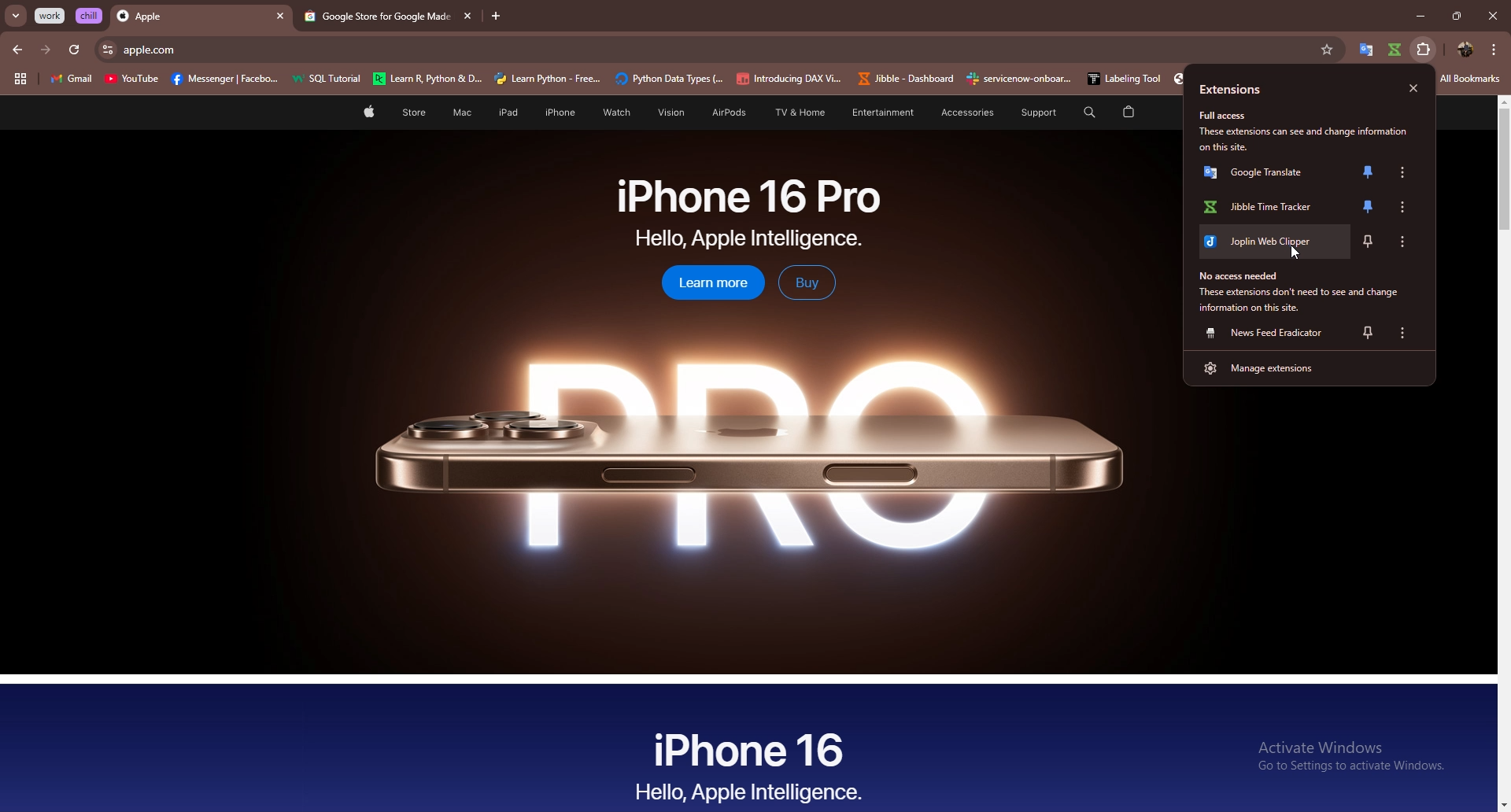  Describe the element at coordinates (497, 17) in the screenshot. I see `add tab` at that location.